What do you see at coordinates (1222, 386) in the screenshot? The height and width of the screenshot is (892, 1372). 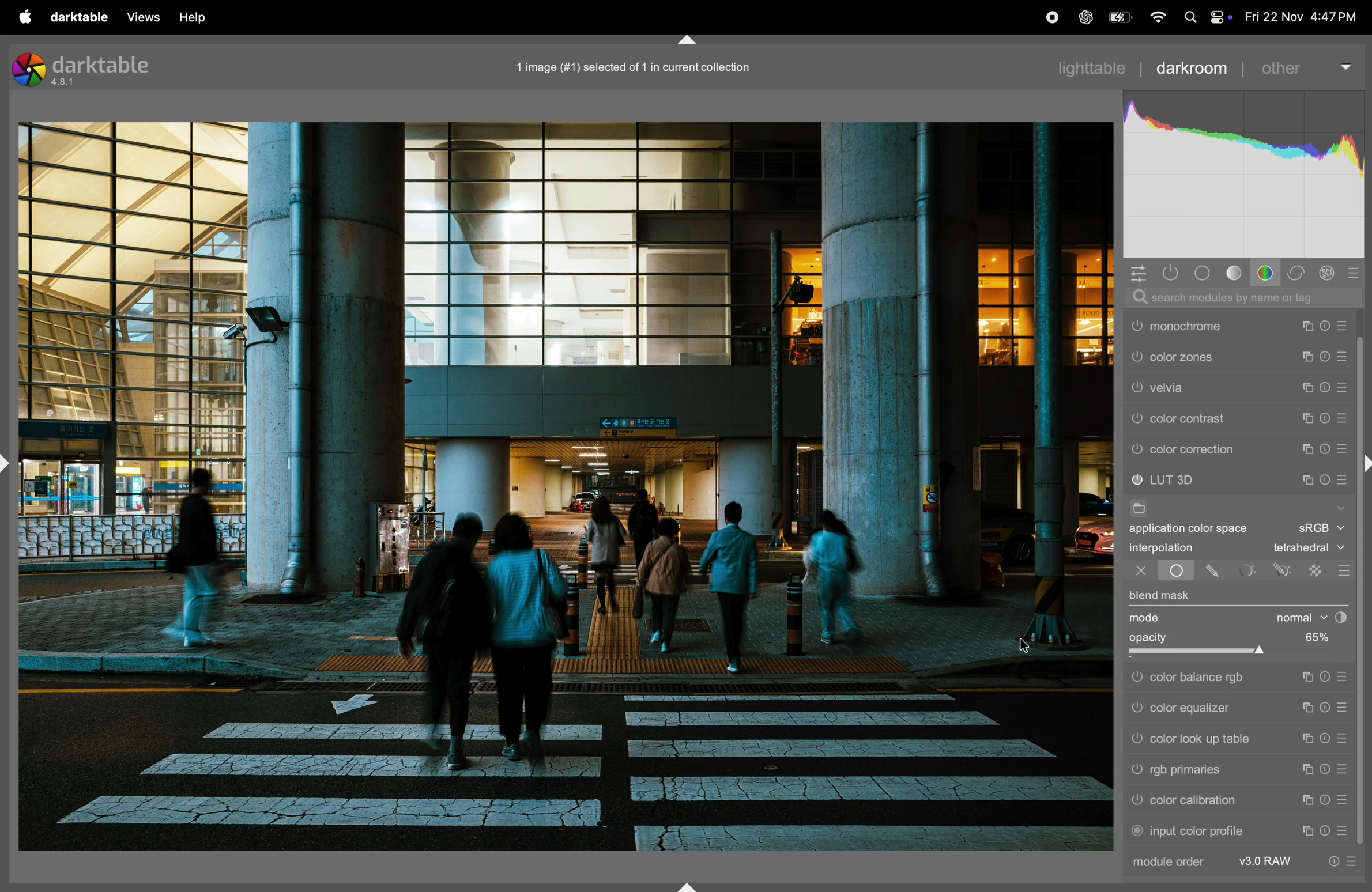 I see `color zones` at bounding box center [1222, 386].